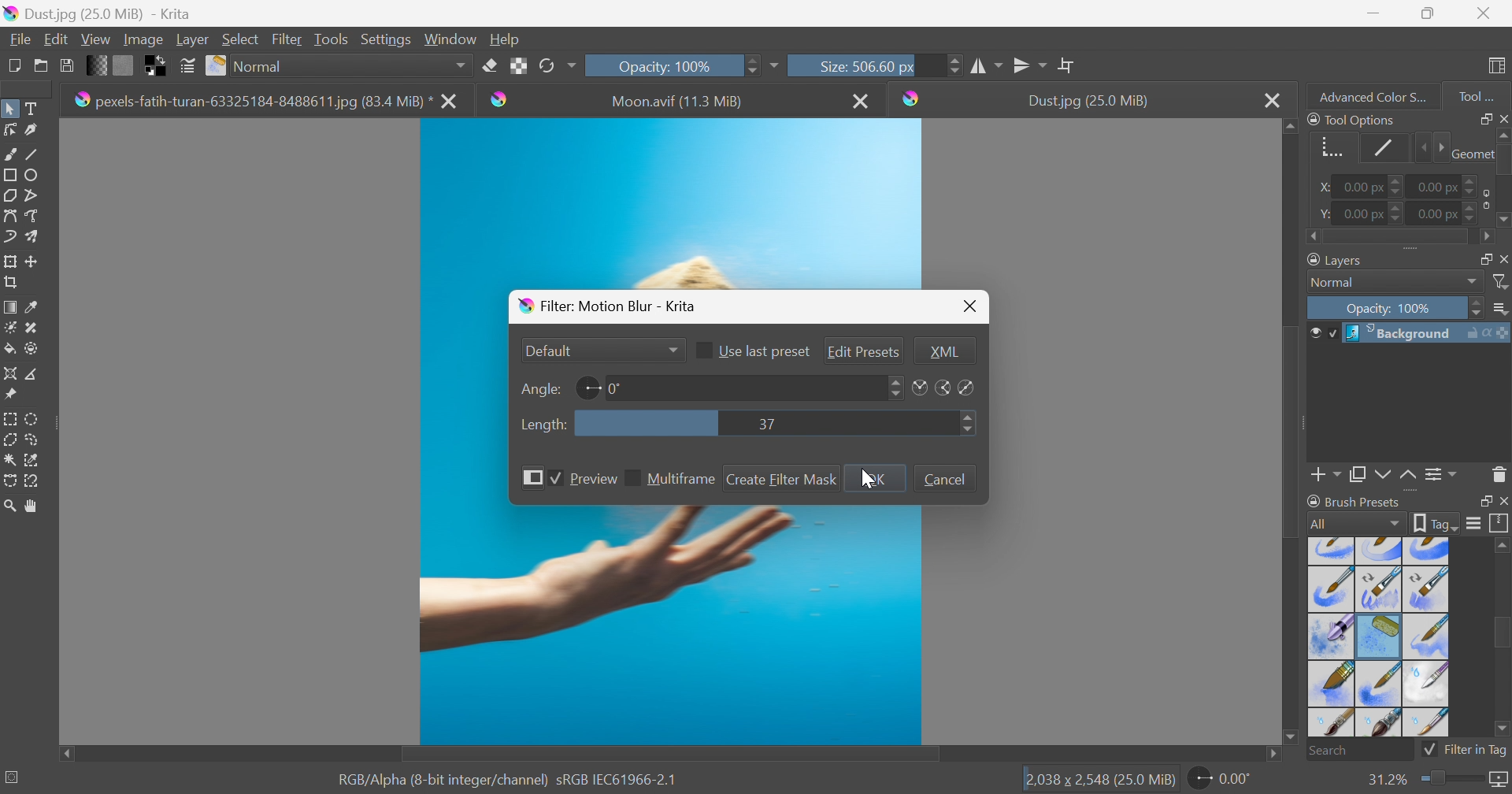 This screenshot has height=794, width=1512. Describe the element at coordinates (95, 37) in the screenshot. I see `View` at that location.